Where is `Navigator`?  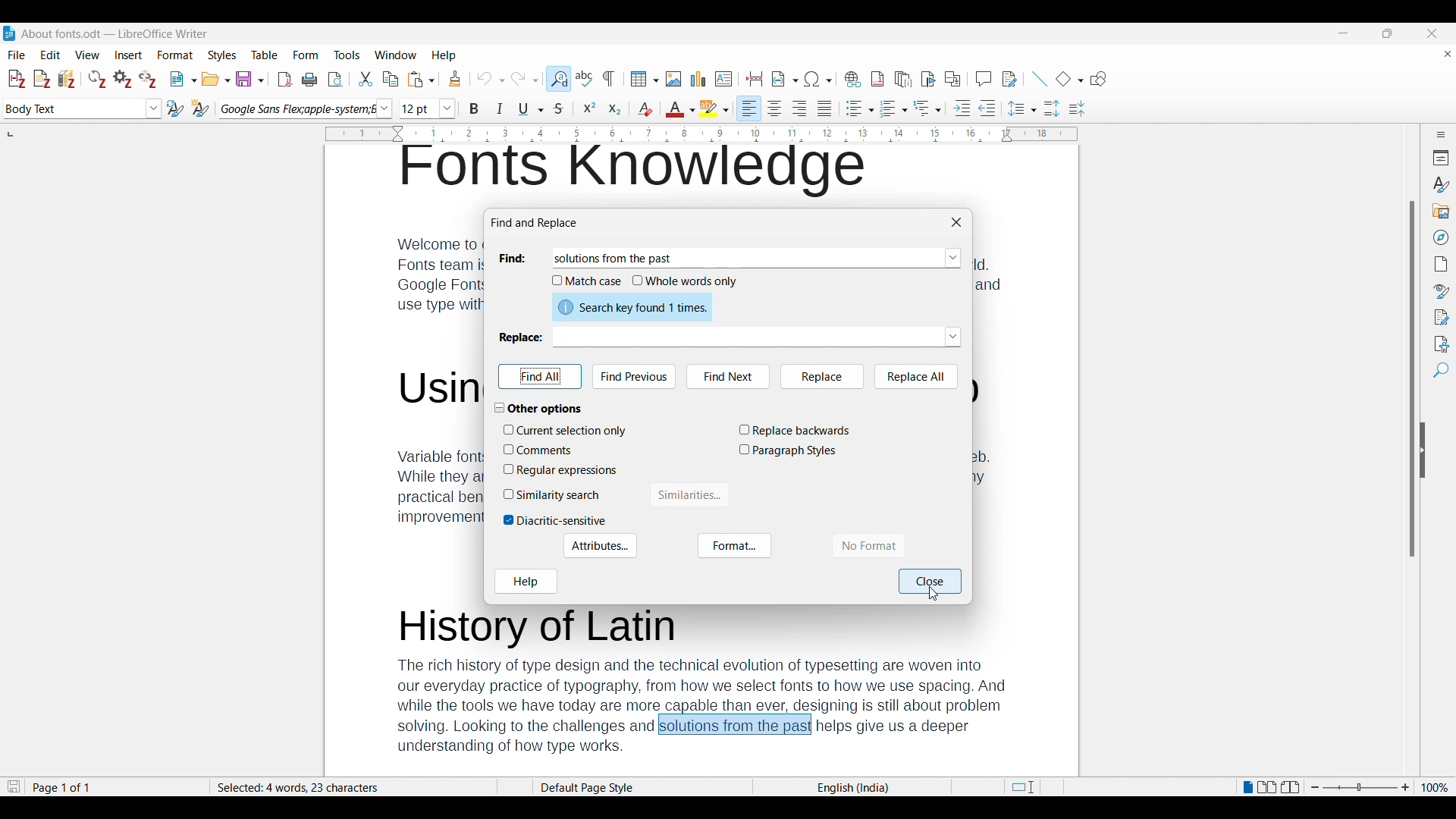 Navigator is located at coordinates (1440, 237).